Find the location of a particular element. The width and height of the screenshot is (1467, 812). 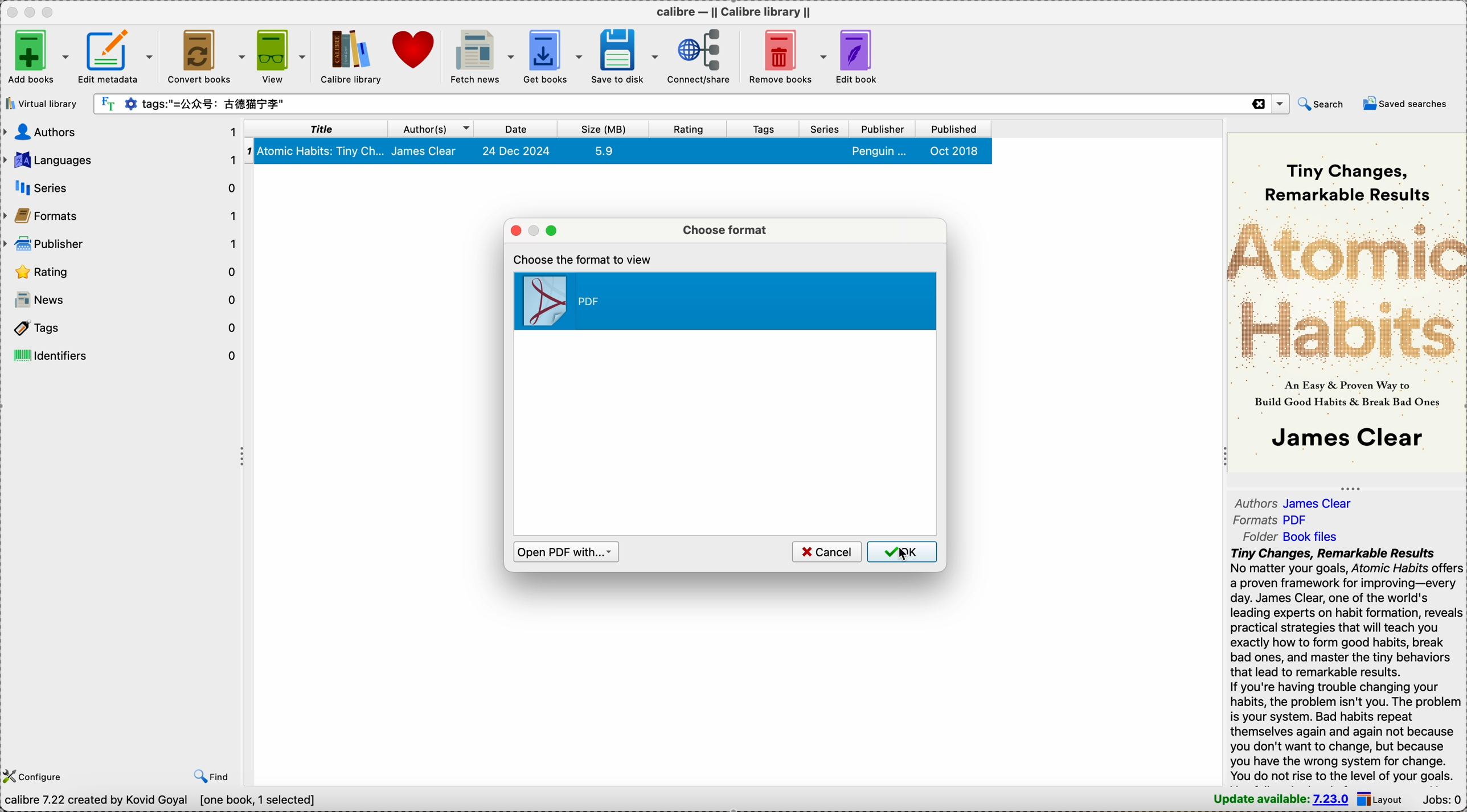

convert books is located at coordinates (206, 55).